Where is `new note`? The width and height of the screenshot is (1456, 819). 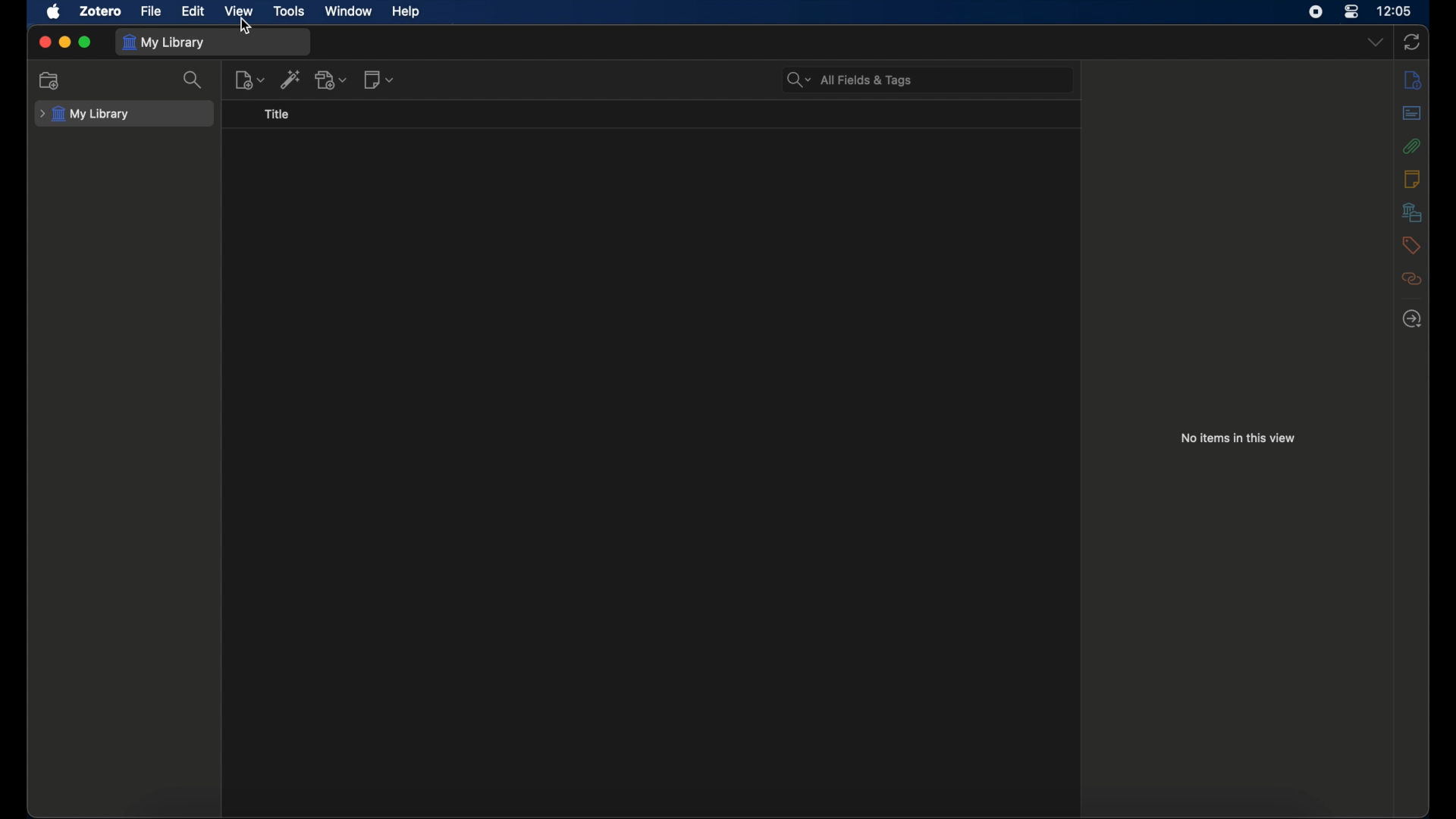 new note is located at coordinates (378, 78).